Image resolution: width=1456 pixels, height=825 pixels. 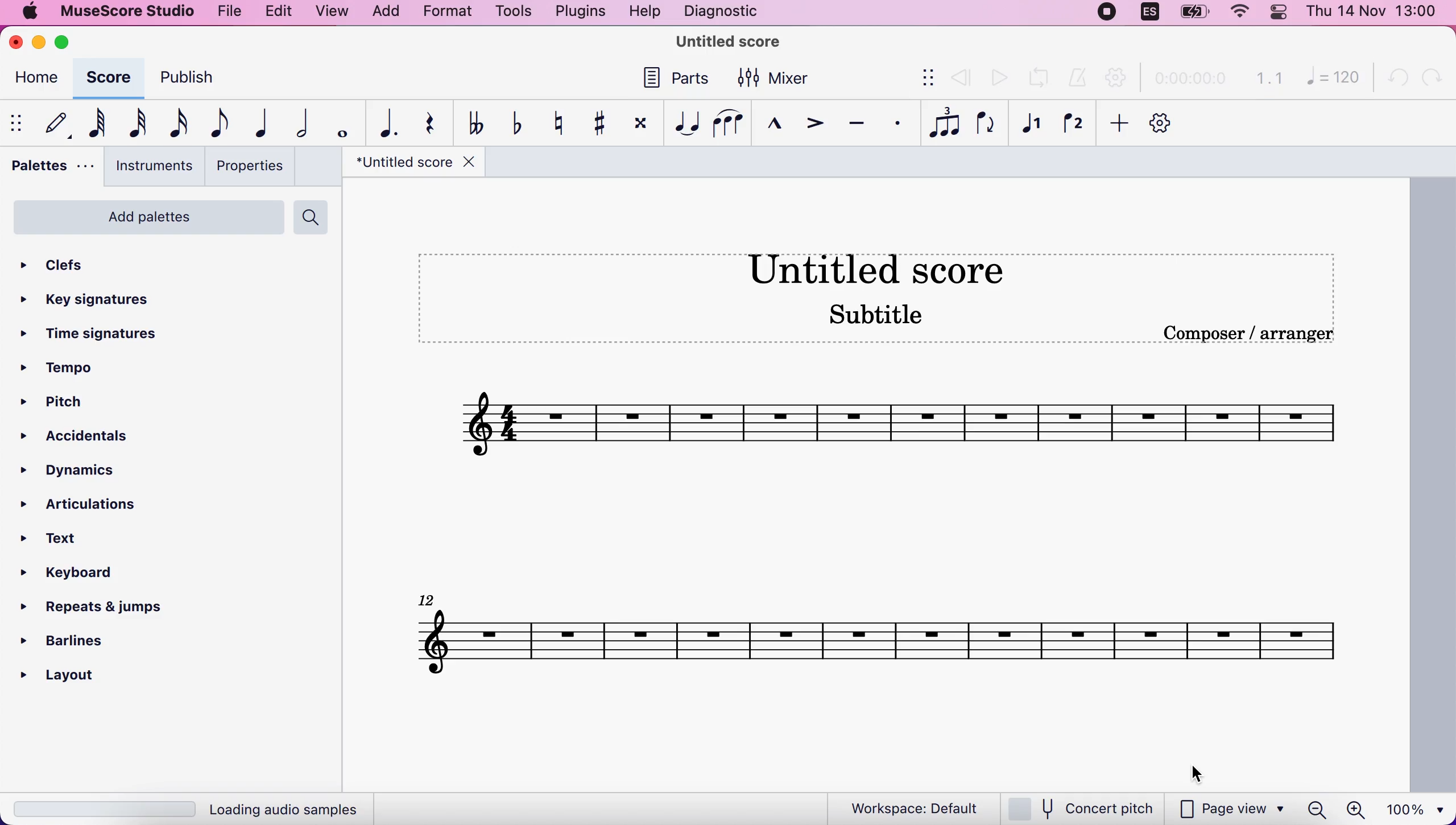 I want to click on customization tool, so click(x=1161, y=123).